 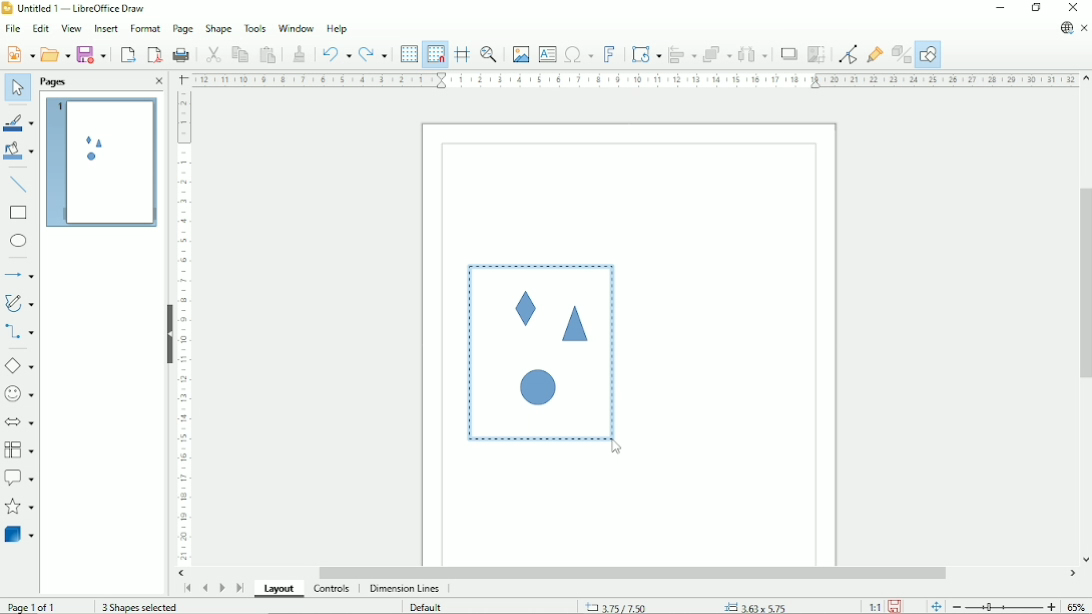 What do you see at coordinates (20, 393) in the screenshot?
I see `Symbol shapes` at bounding box center [20, 393].